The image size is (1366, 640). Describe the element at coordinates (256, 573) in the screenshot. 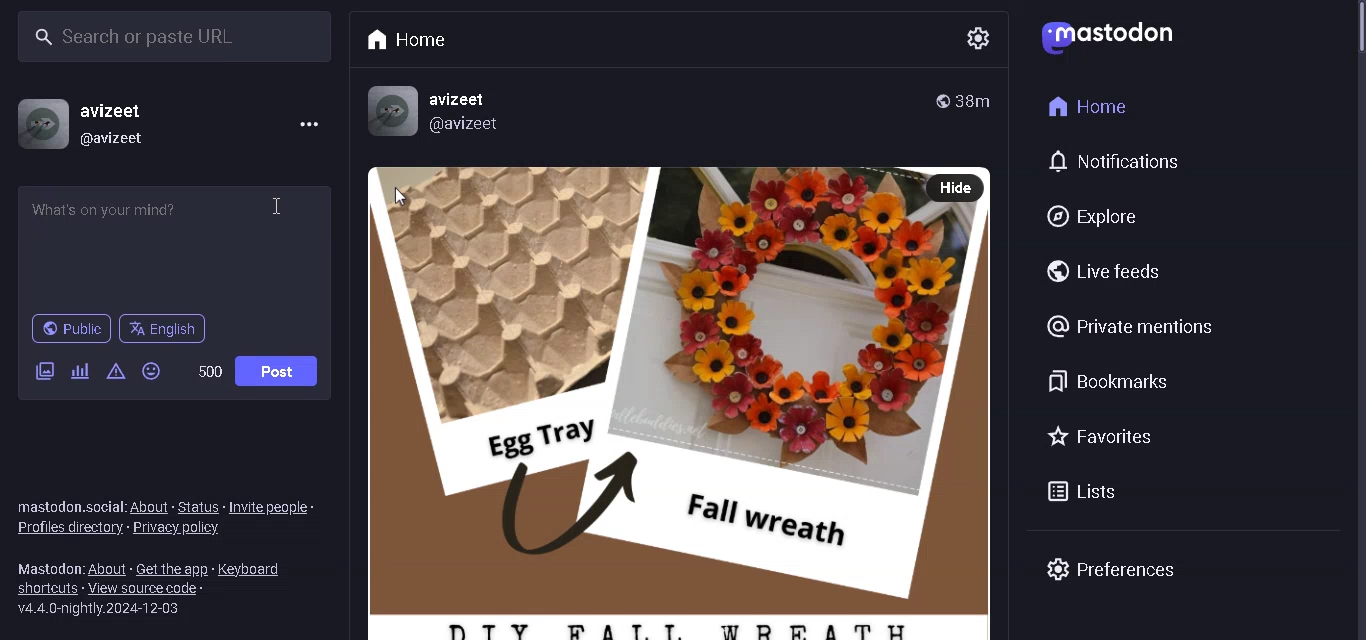

I see `keyboards` at that location.